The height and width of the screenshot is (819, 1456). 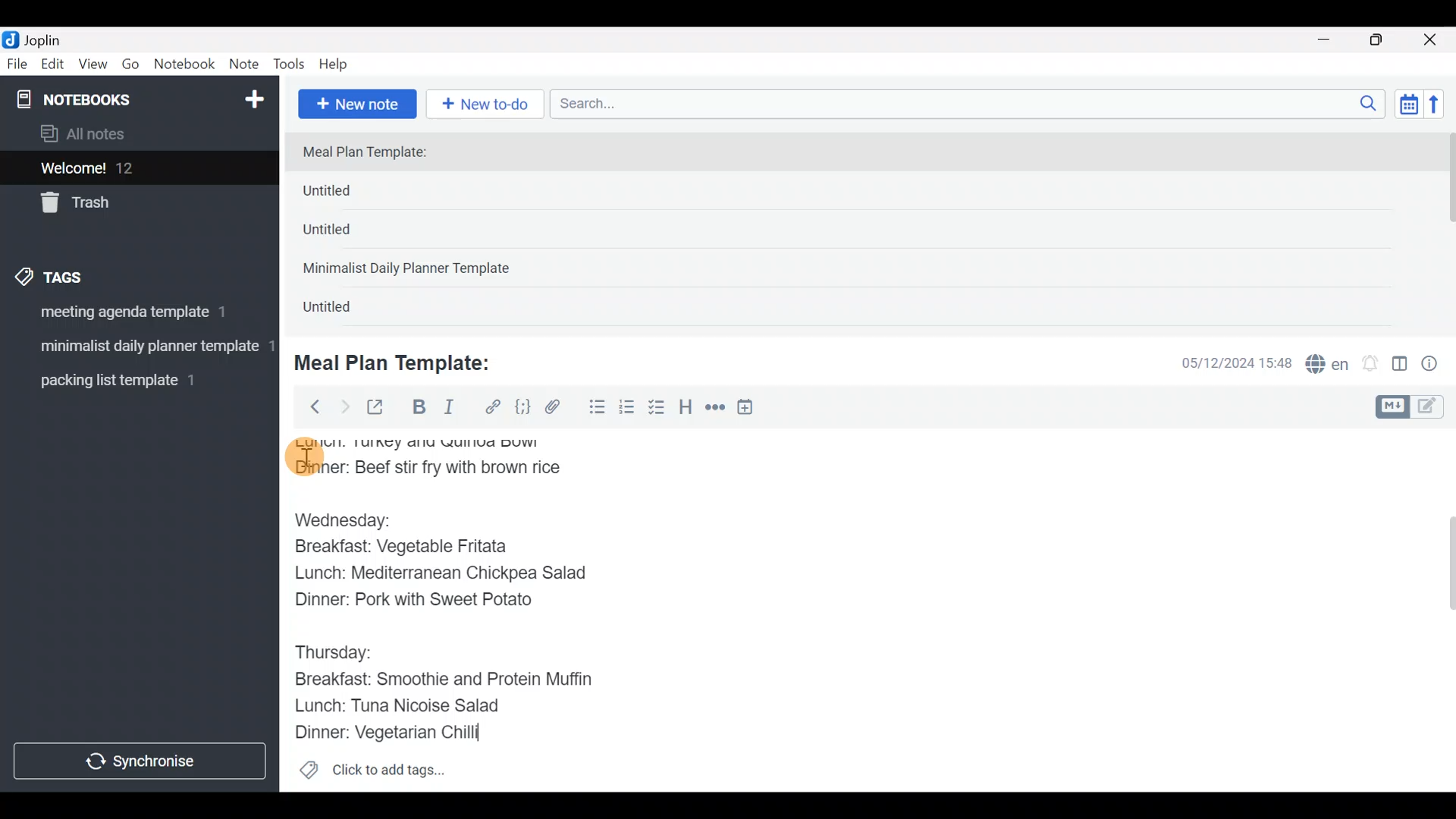 I want to click on Dinner: Pork with Sweet Potato, so click(x=427, y=602).